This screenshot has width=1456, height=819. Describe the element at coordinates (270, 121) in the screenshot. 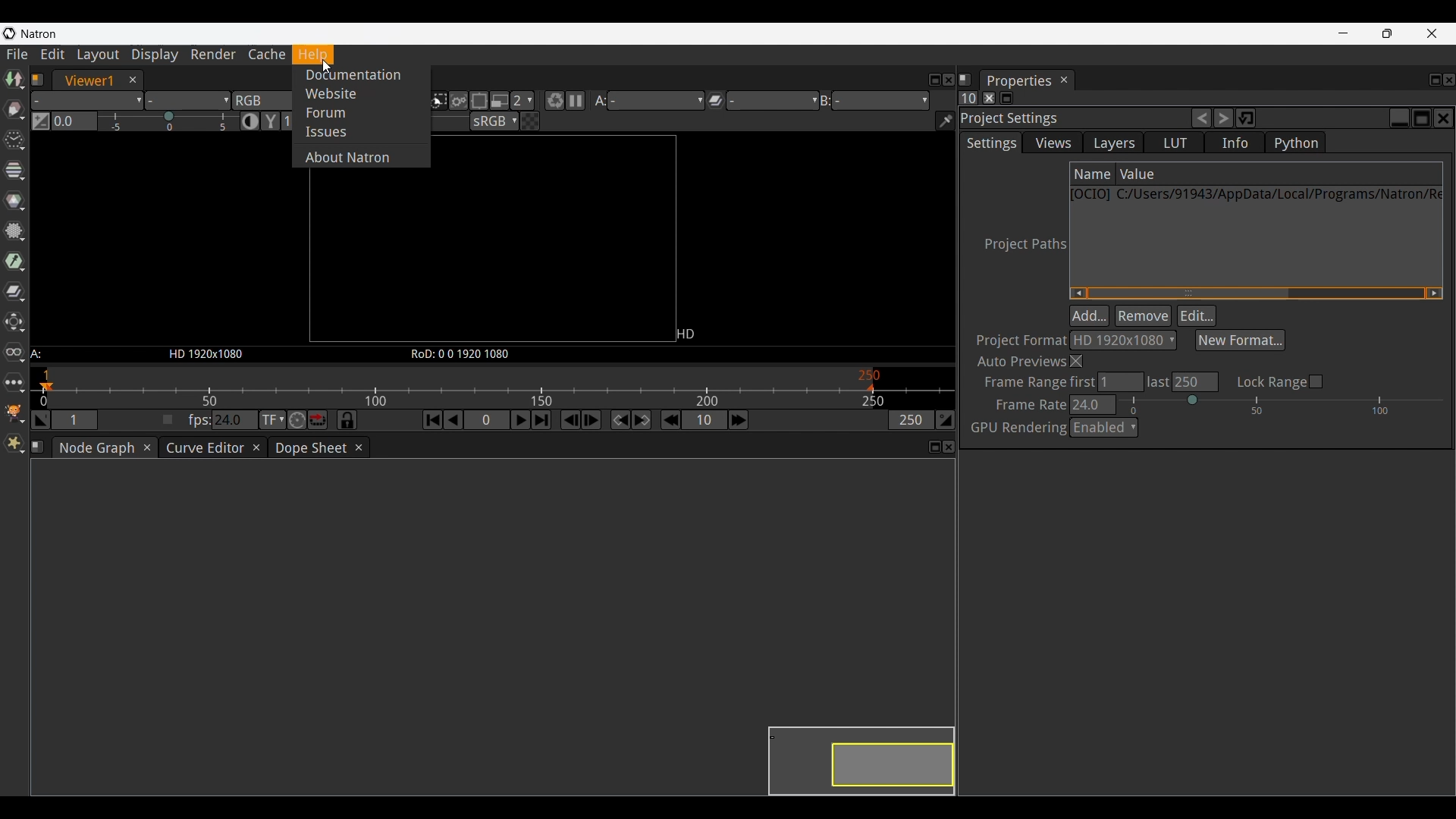

I see `Viewer gamma correction` at that location.